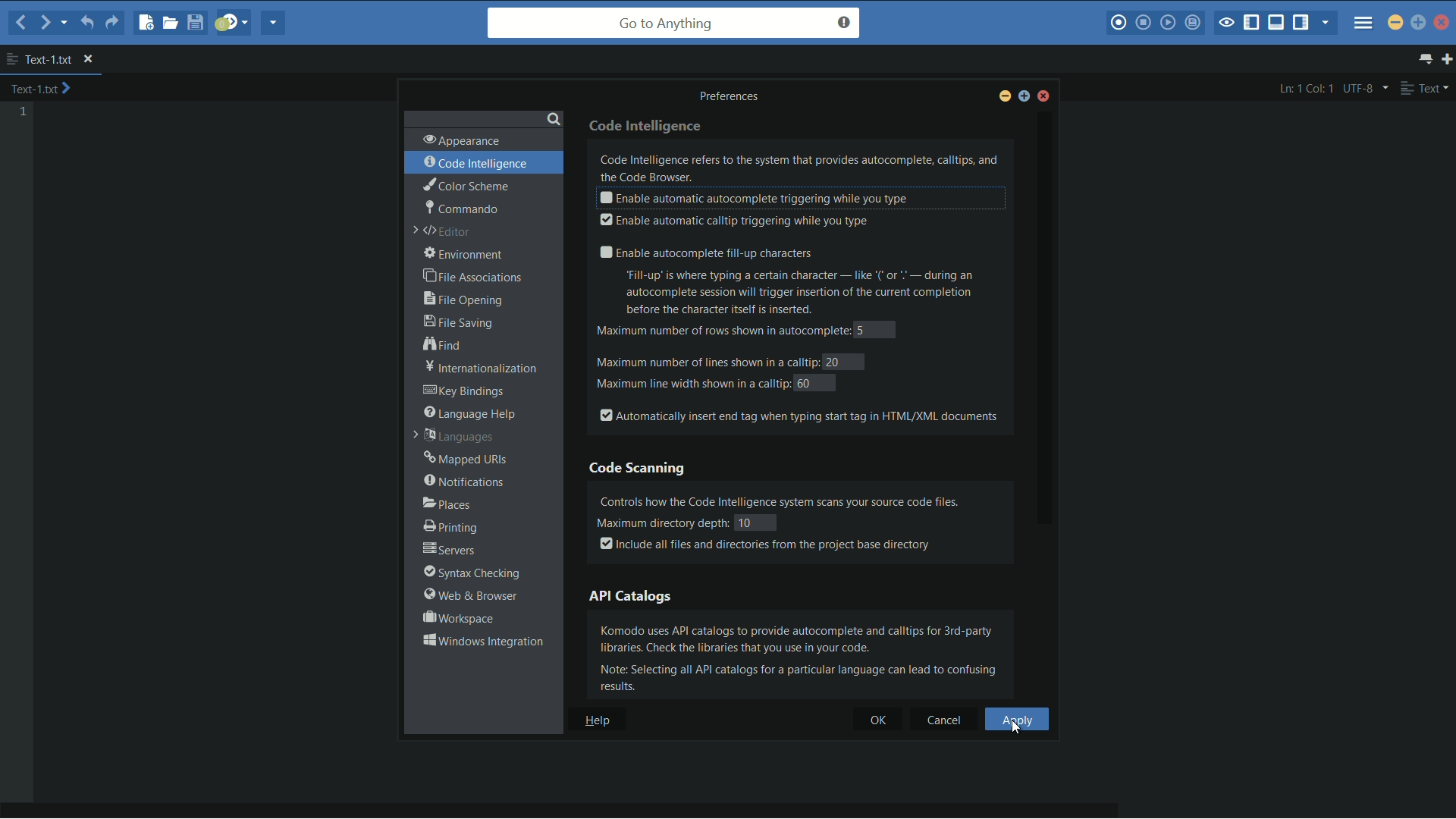  What do you see at coordinates (755, 522) in the screenshot?
I see `10` at bounding box center [755, 522].